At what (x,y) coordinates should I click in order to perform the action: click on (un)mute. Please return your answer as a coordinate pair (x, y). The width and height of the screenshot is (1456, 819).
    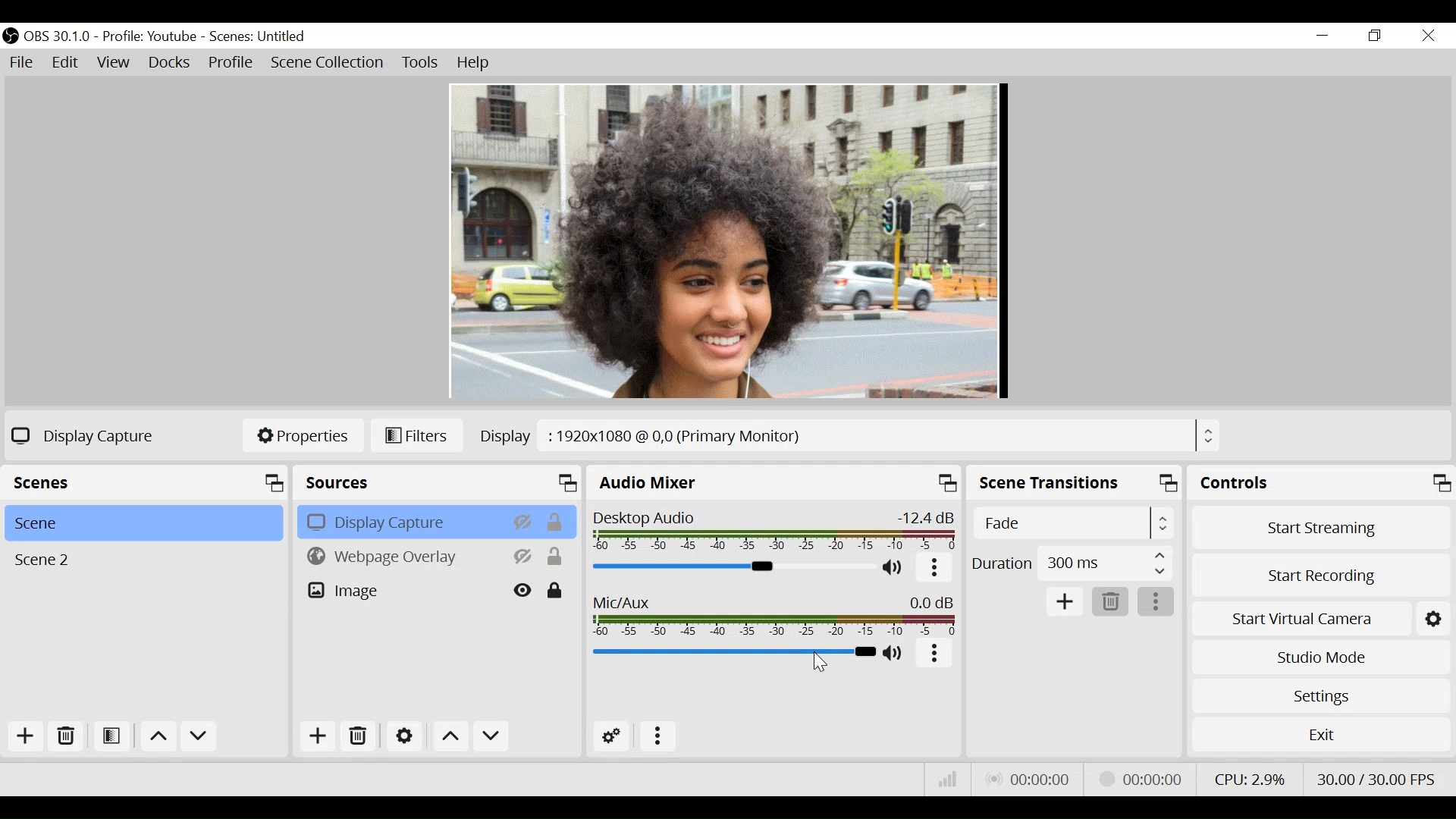
    Looking at the image, I should click on (897, 653).